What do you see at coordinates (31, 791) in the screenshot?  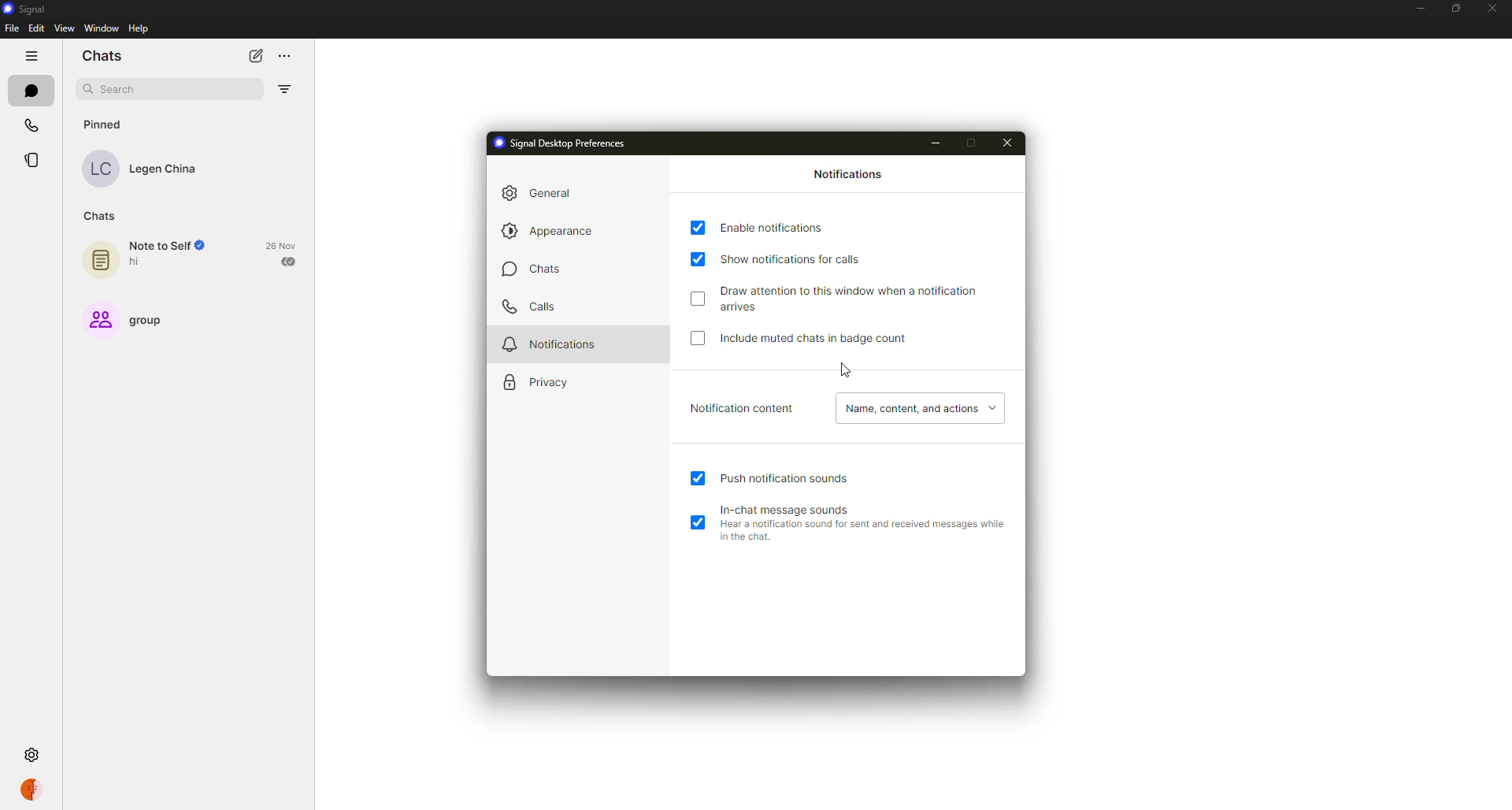 I see `profile` at bounding box center [31, 791].